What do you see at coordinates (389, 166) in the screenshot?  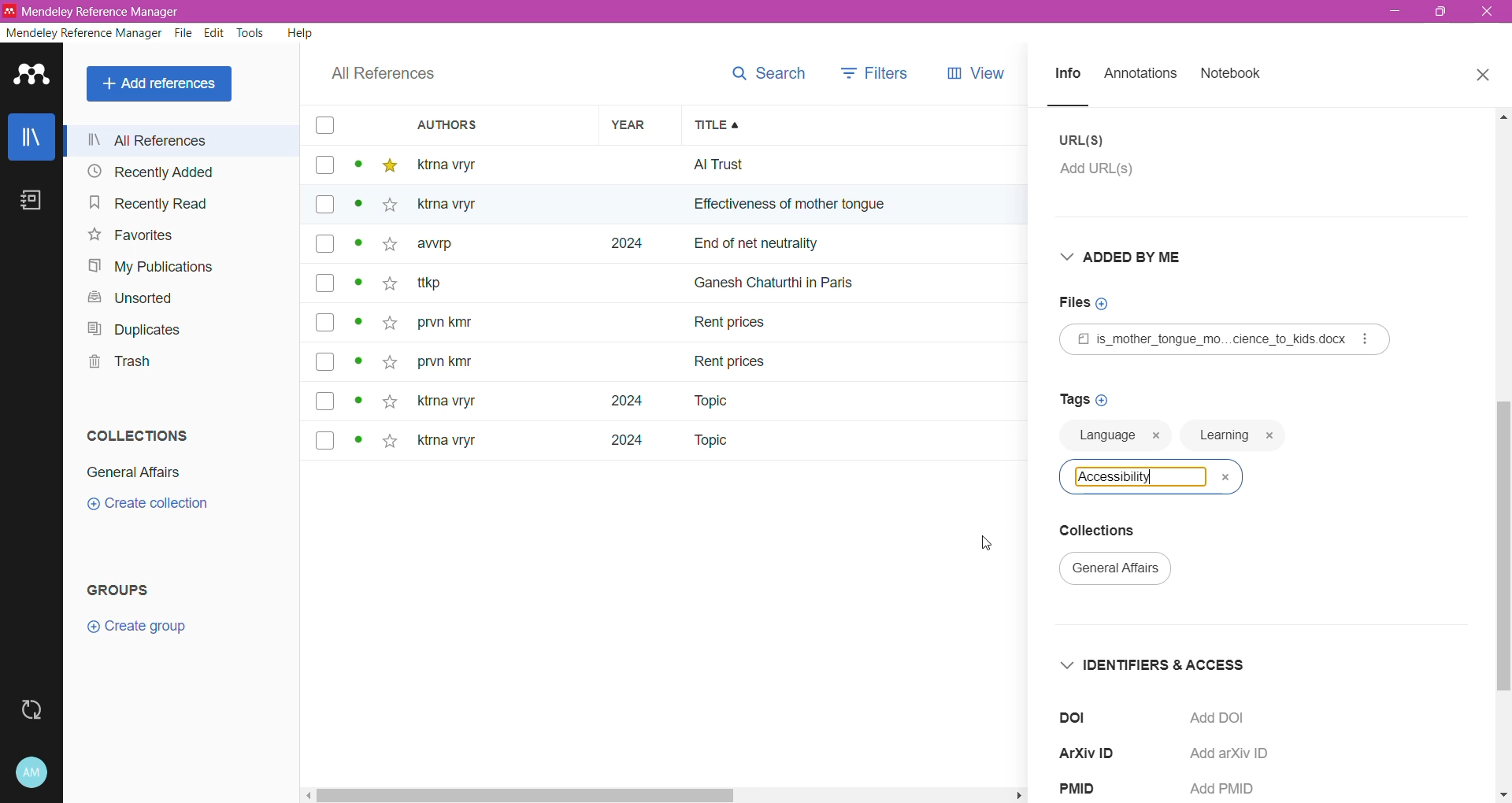 I see `star` at bounding box center [389, 166].